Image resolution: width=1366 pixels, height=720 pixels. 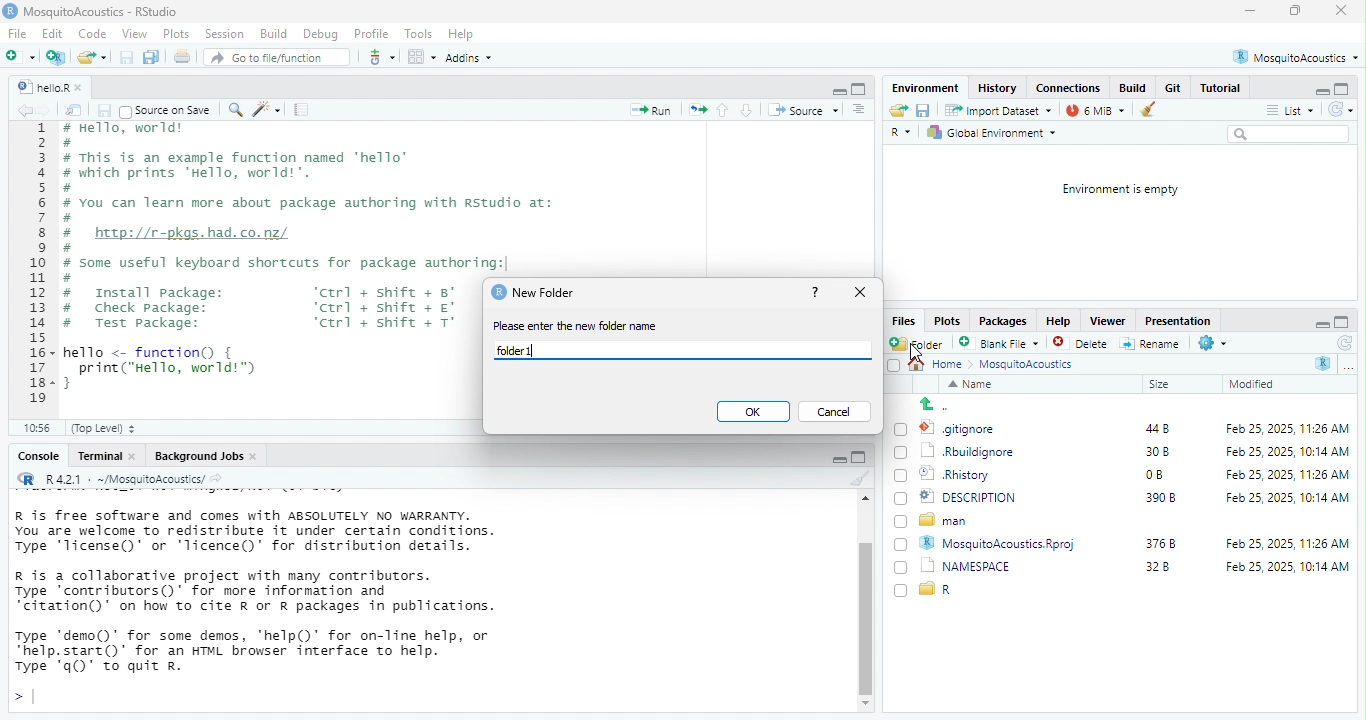 What do you see at coordinates (999, 343) in the screenshot?
I see `blank file` at bounding box center [999, 343].